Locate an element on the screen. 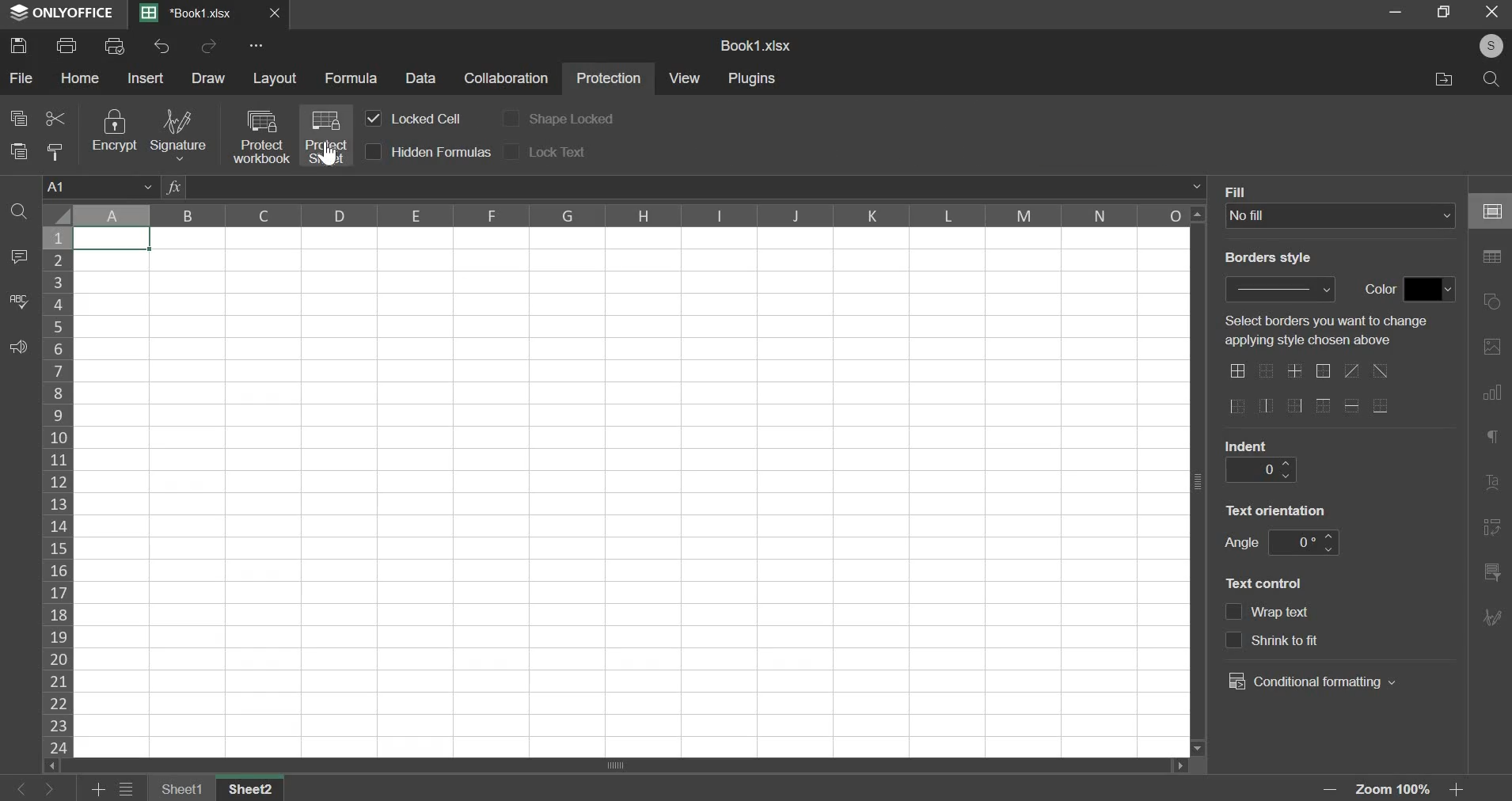 Image resolution: width=1512 pixels, height=801 pixels. right is located at coordinates (48, 790).